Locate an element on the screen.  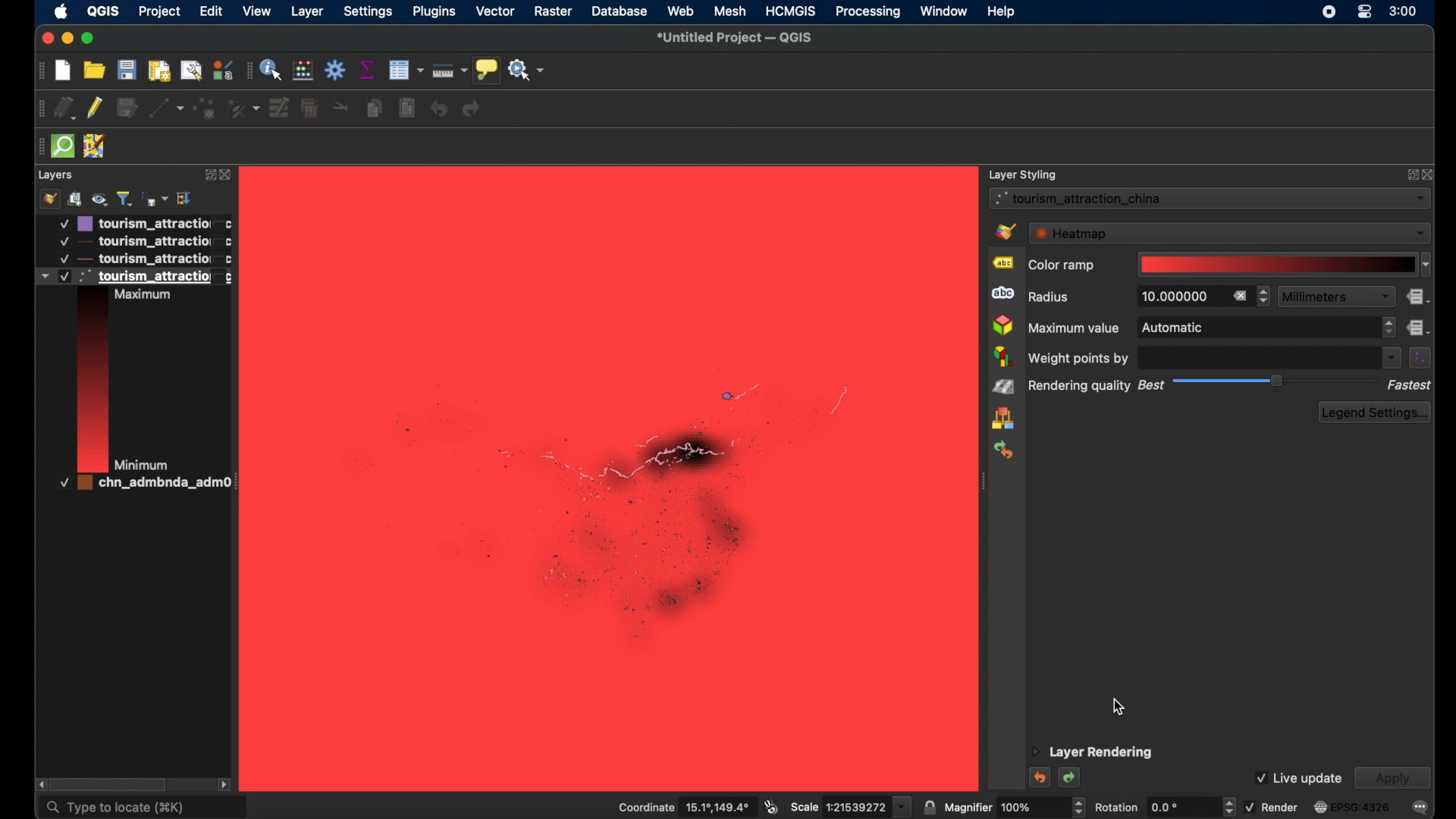
copy features is located at coordinates (374, 108).